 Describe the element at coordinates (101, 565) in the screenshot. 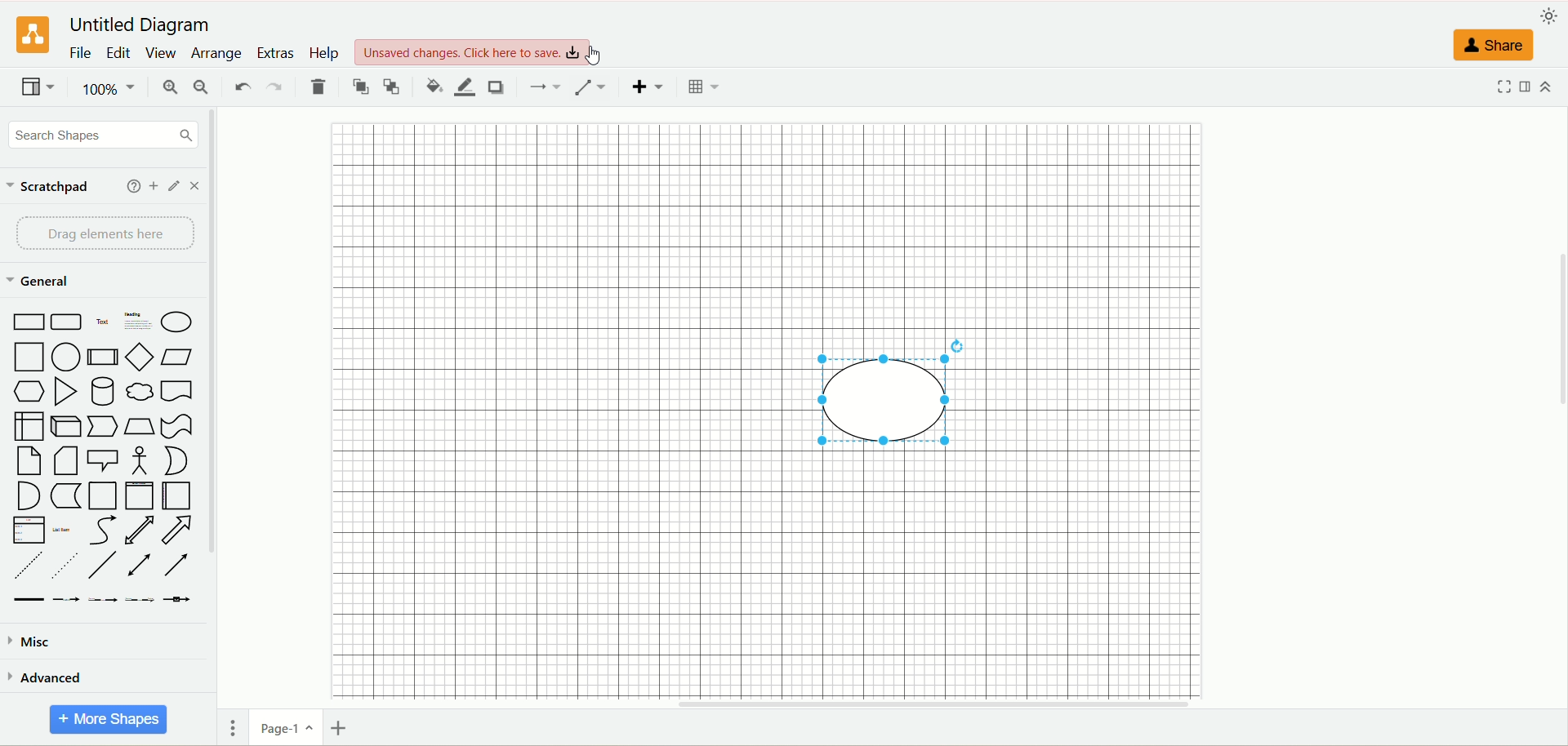

I see `line` at that location.